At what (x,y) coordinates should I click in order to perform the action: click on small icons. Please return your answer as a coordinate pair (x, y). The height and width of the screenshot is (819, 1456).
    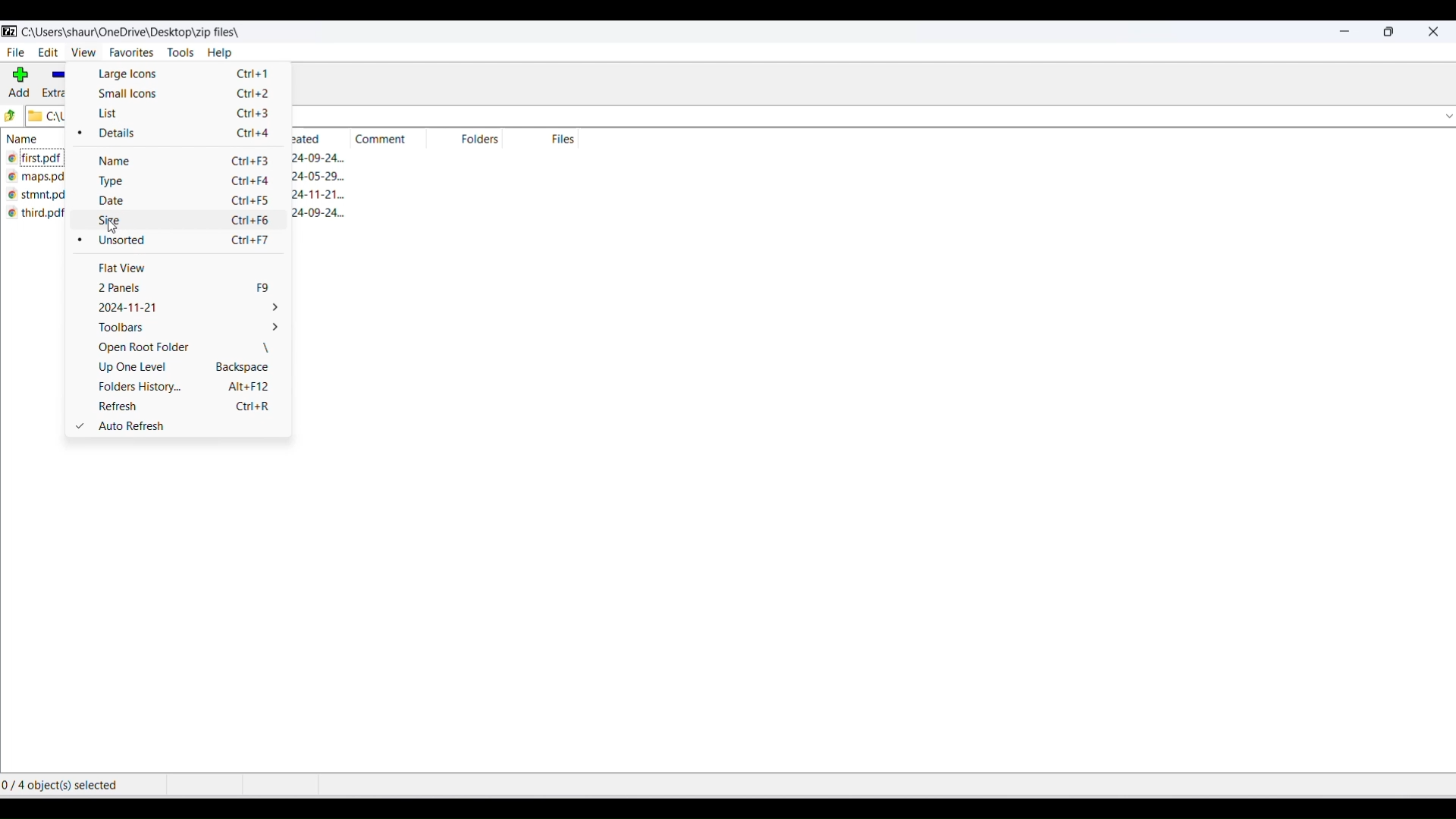
    Looking at the image, I should click on (183, 93).